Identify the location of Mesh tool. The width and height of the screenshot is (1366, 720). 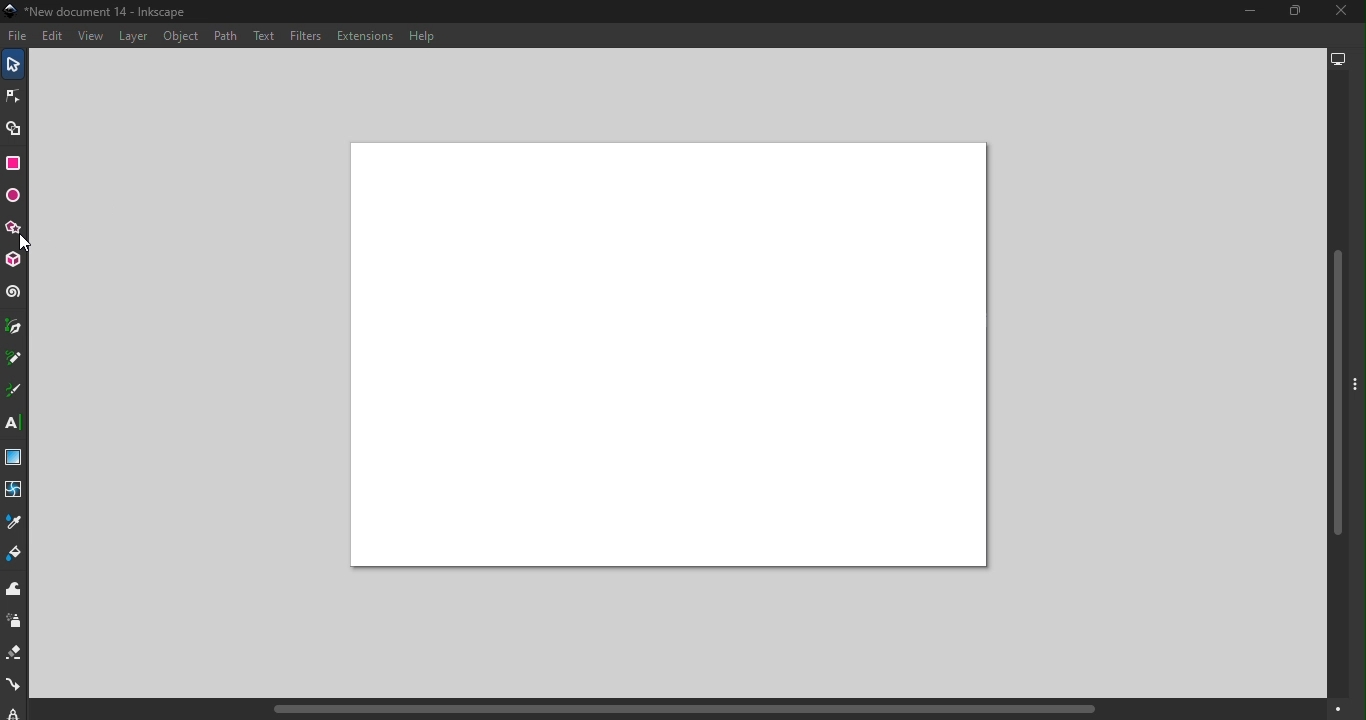
(16, 495).